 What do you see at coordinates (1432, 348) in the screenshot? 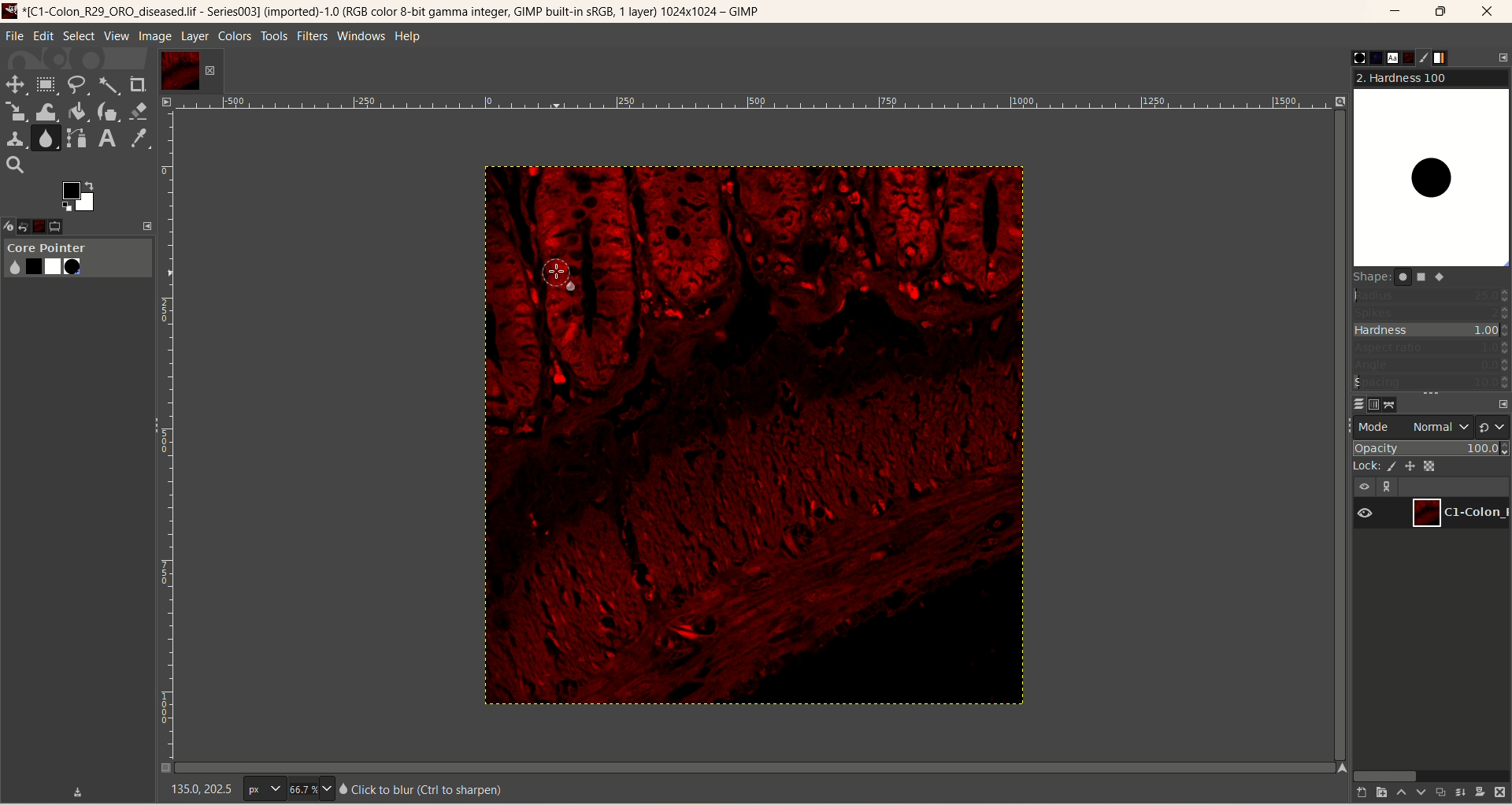
I see `aspect ratio` at bounding box center [1432, 348].